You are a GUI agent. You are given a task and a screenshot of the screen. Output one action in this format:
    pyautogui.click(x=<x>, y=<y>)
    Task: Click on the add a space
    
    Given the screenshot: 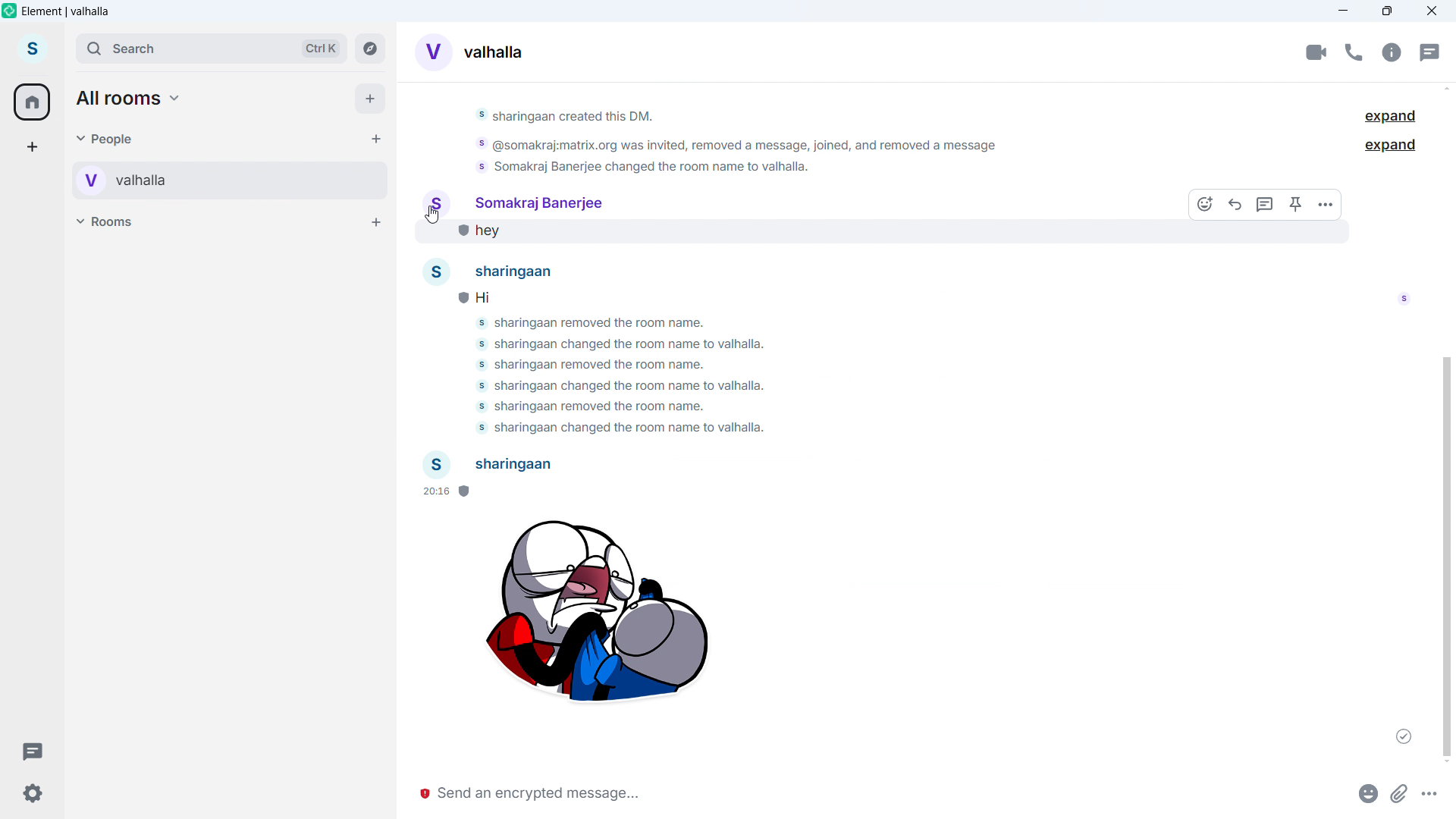 What is the action you would take?
    pyautogui.click(x=32, y=147)
    